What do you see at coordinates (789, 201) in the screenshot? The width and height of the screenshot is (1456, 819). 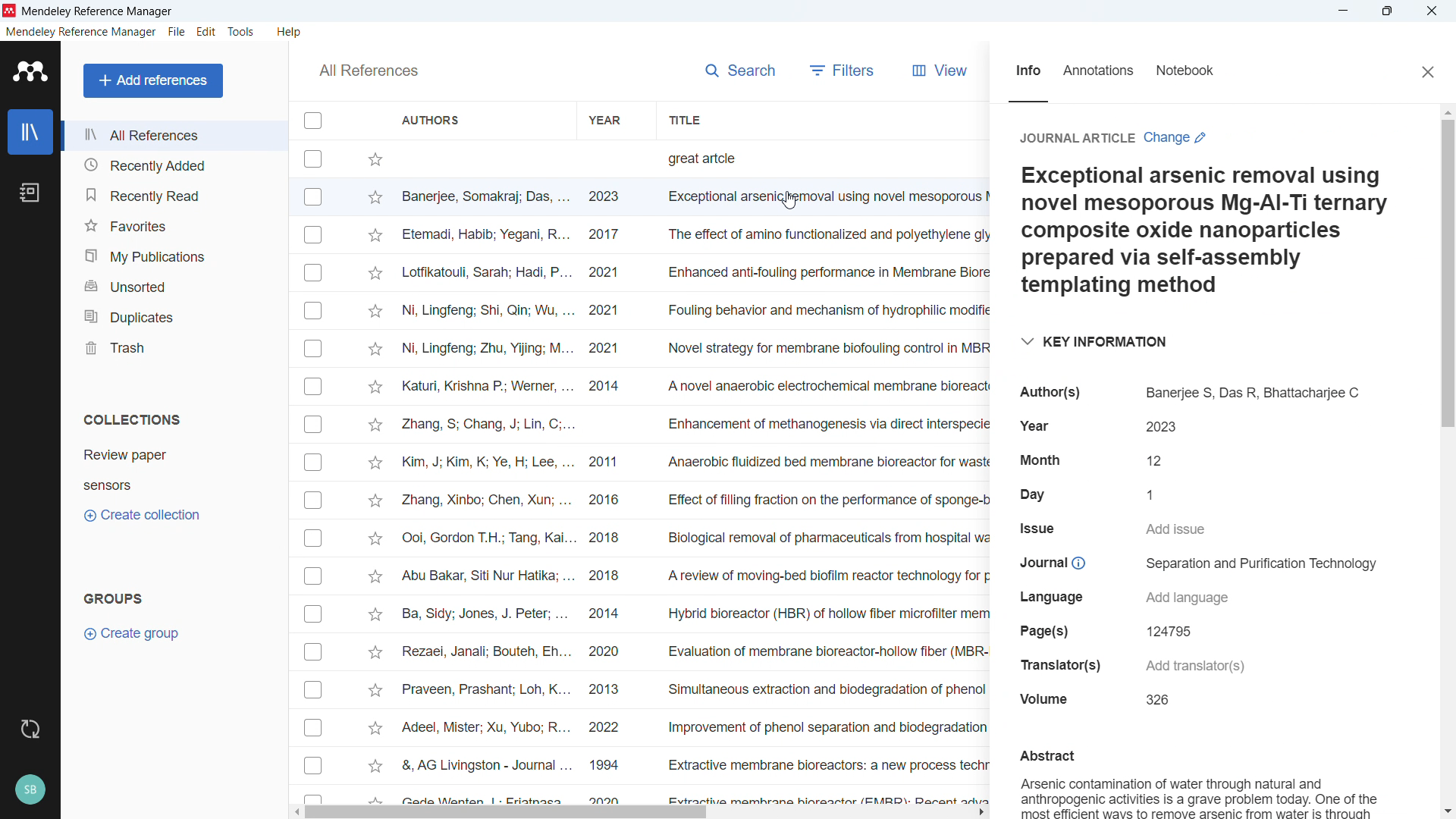 I see `Cursor` at bounding box center [789, 201].